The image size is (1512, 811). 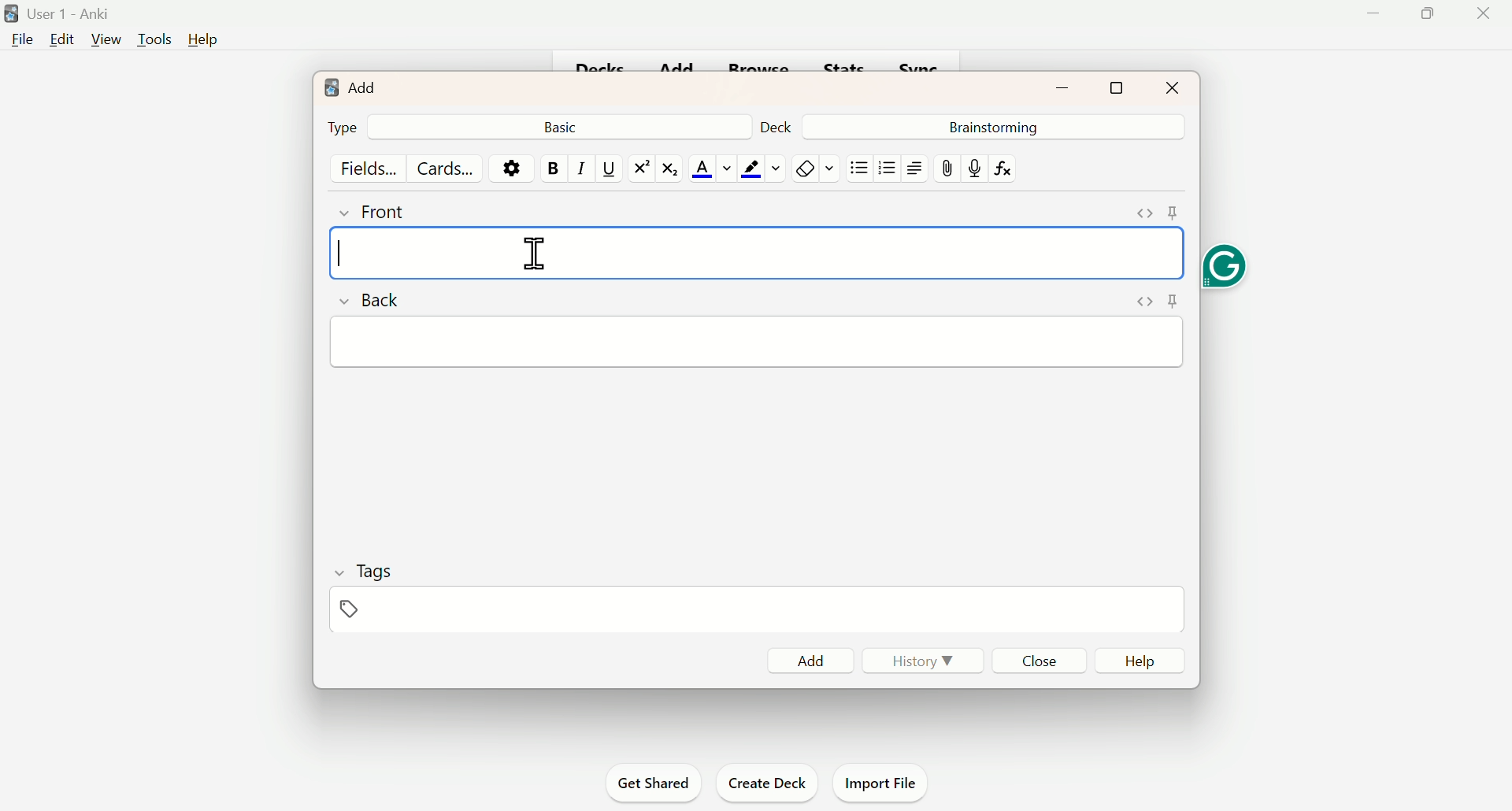 I want to click on Grammarly, so click(x=1224, y=262).